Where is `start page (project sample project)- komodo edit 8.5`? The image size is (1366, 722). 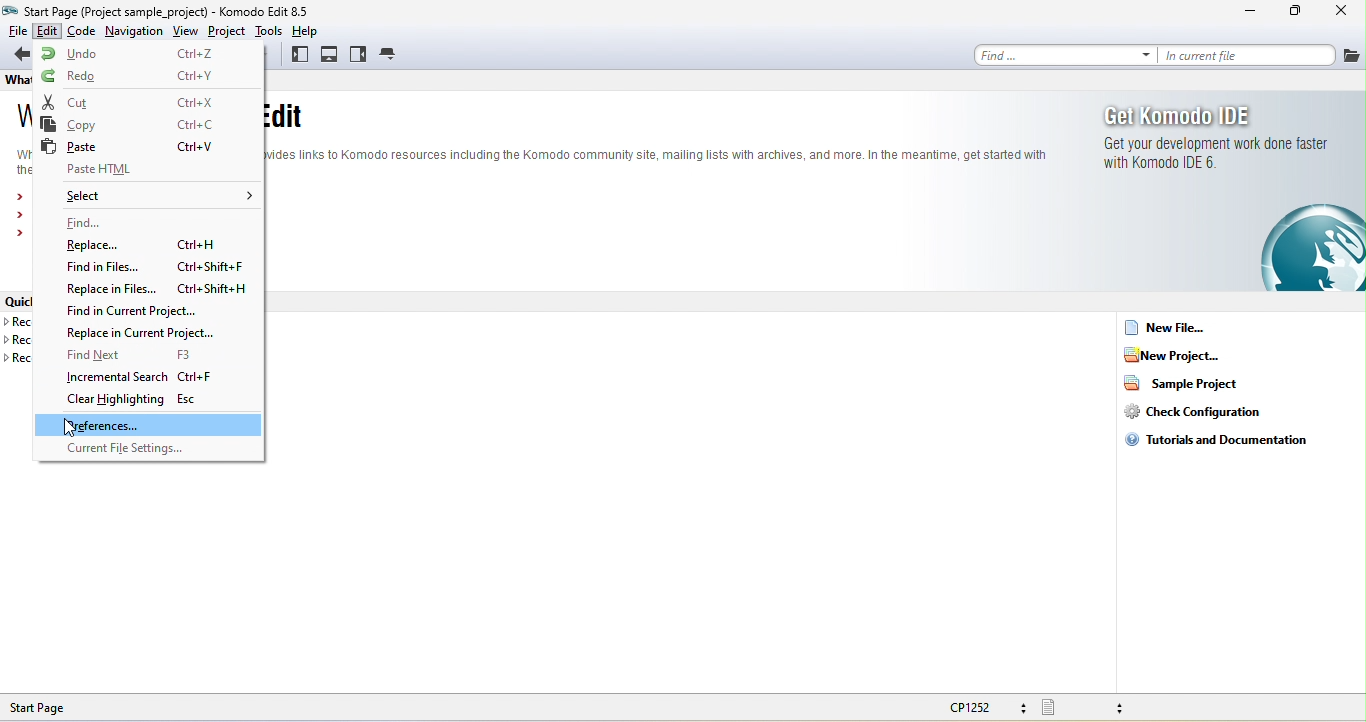
start page (project sample project)- komodo edit 8.5 is located at coordinates (160, 11).